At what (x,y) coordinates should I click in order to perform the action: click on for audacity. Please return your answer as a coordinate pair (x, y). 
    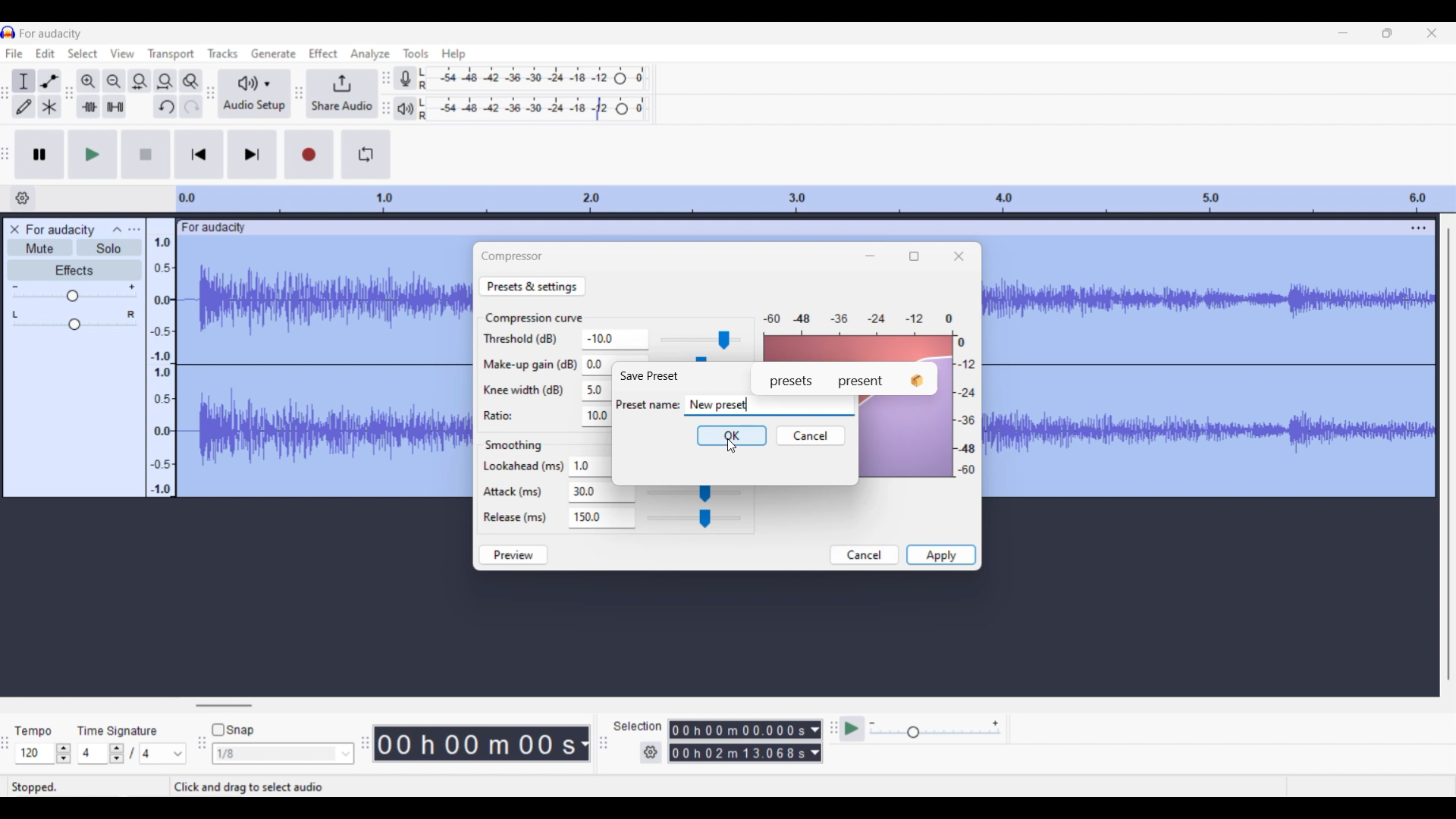
    Looking at the image, I should click on (50, 34).